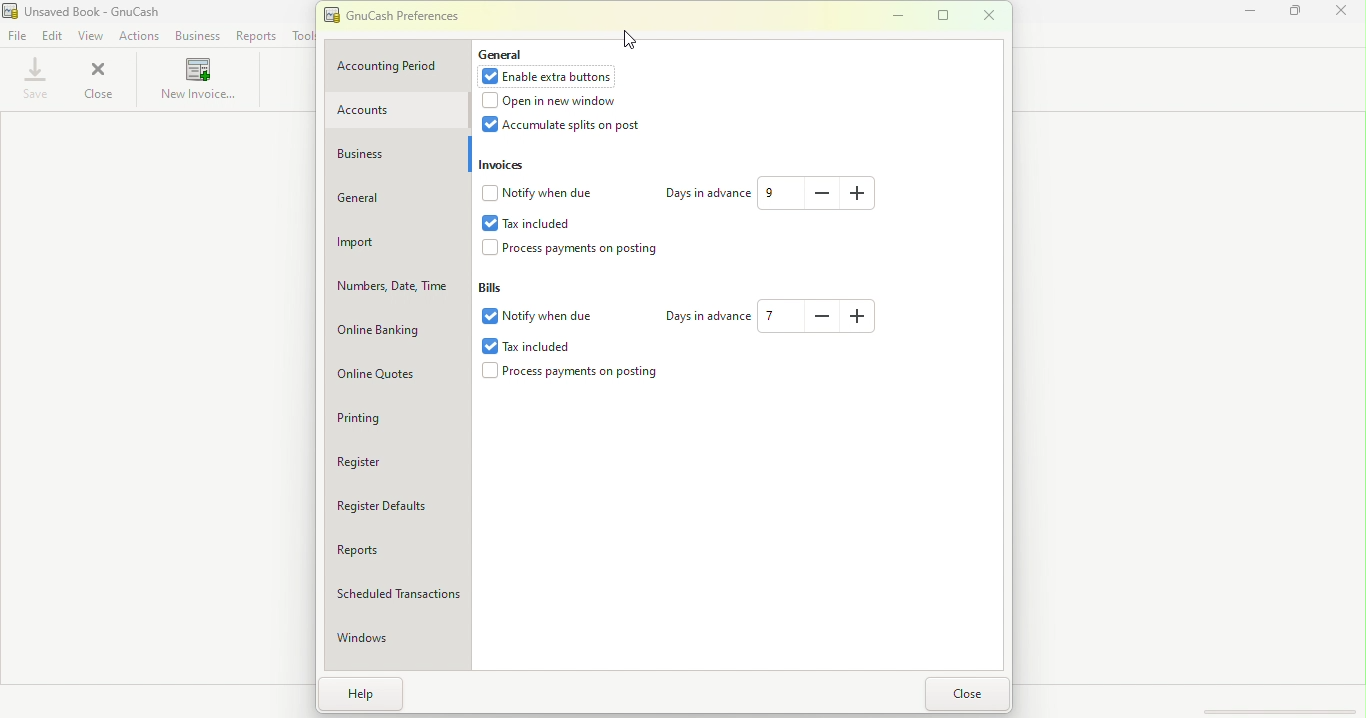 The height and width of the screenshot is (718, 1366). Describe the element at coordinates (546, 100) in the screenshot. I see `Open in new window` at that location.